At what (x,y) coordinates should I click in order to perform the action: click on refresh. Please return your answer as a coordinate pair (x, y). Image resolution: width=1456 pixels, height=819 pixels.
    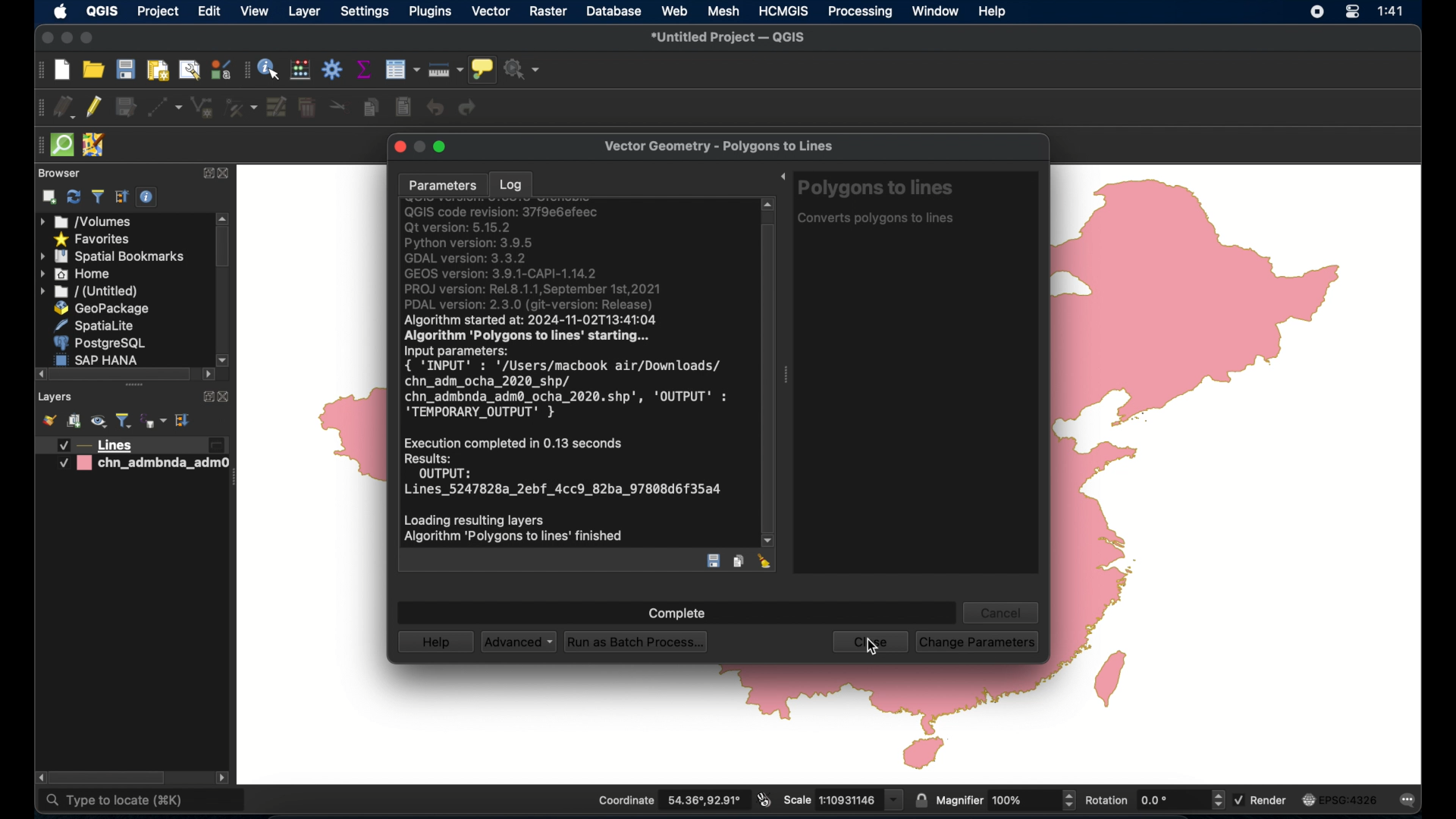
    Looking at the image, I should click on (74, 196).